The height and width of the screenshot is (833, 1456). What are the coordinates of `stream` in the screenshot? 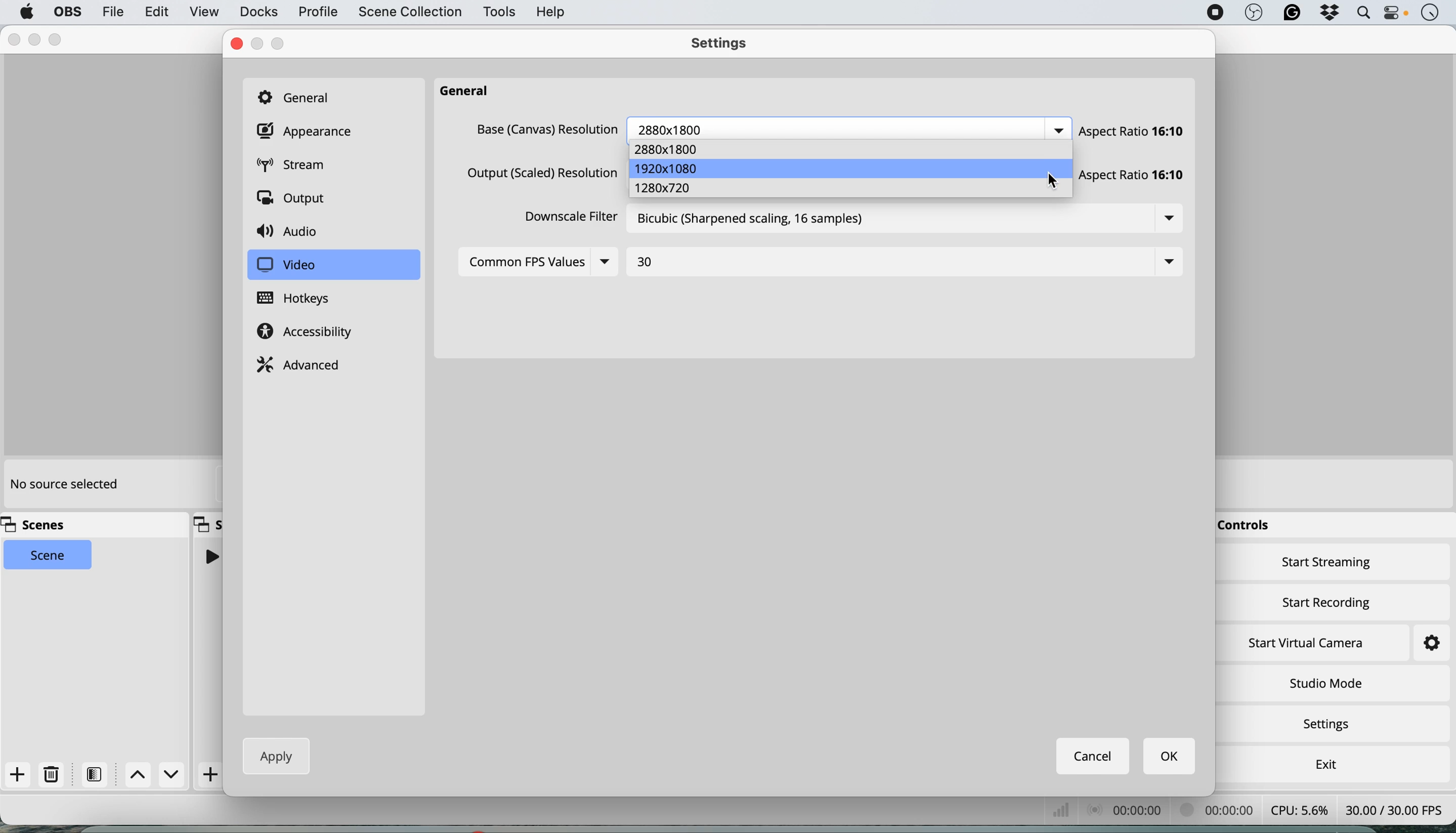 It's located at (300, 166).